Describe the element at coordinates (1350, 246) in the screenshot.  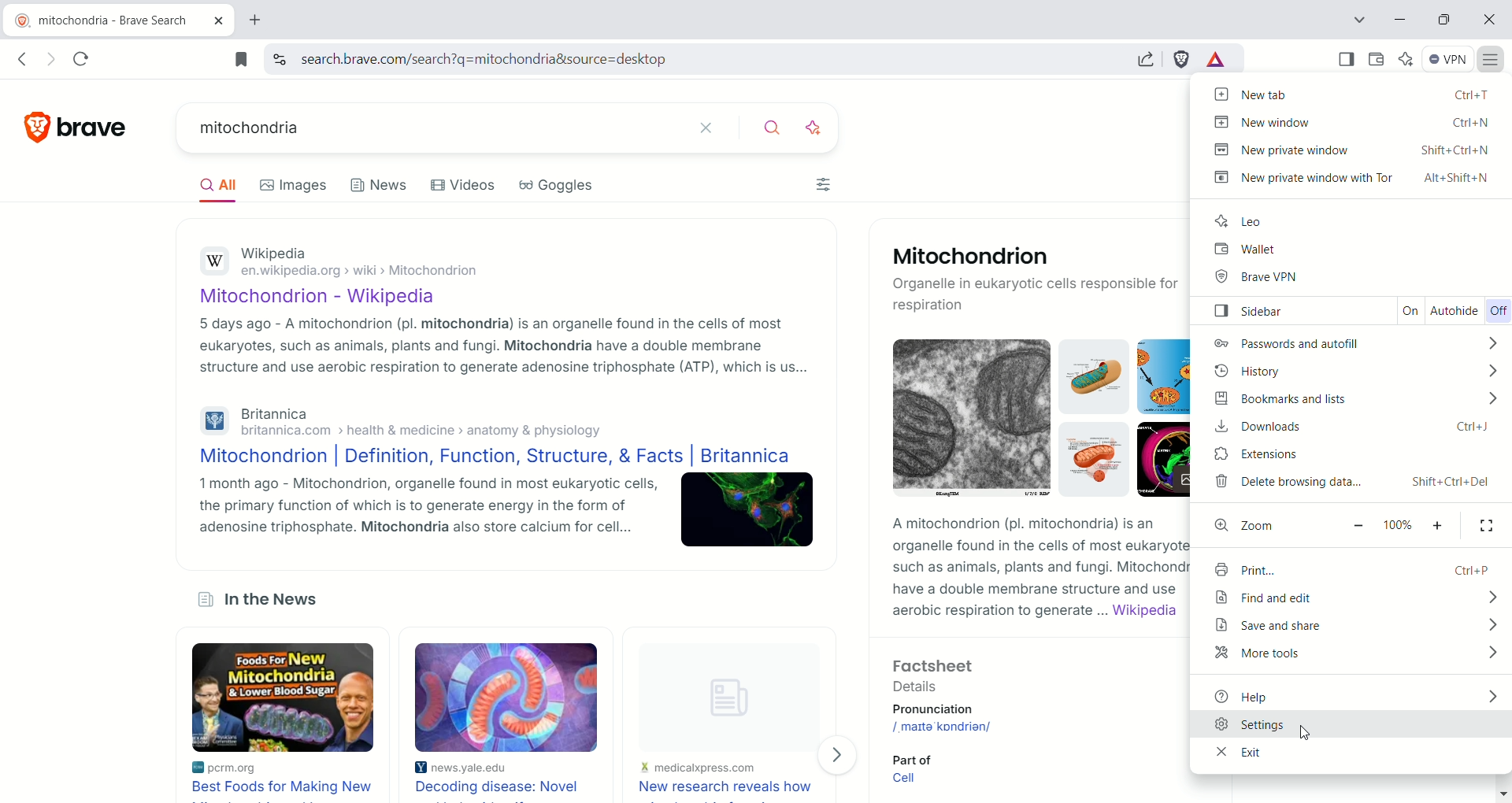
I see `wallet` at that location.